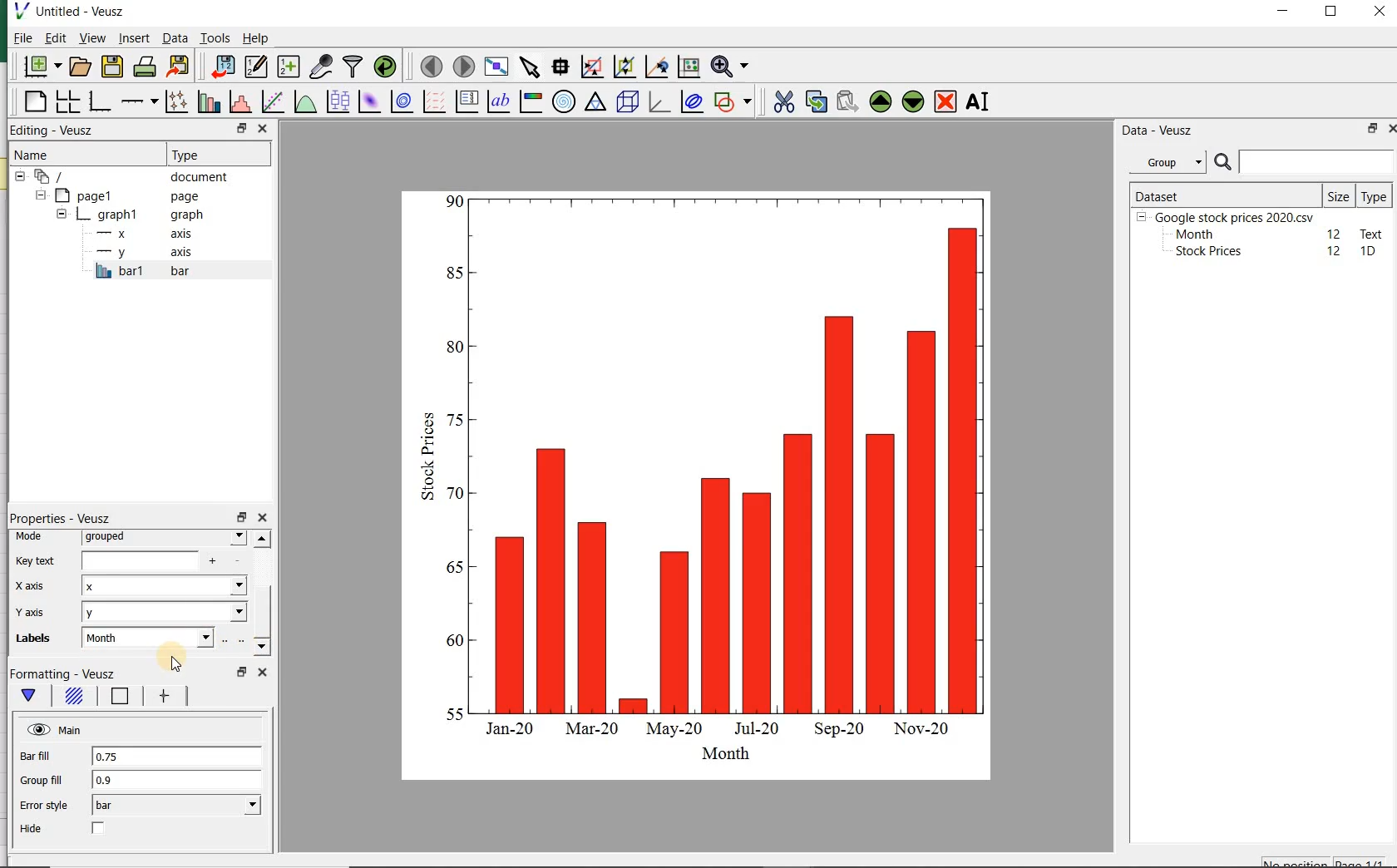 This screenshot has height=868, width=1397. Describe the element at coordinates (43, 805) in the screenshot. I see `Error style` at that location.